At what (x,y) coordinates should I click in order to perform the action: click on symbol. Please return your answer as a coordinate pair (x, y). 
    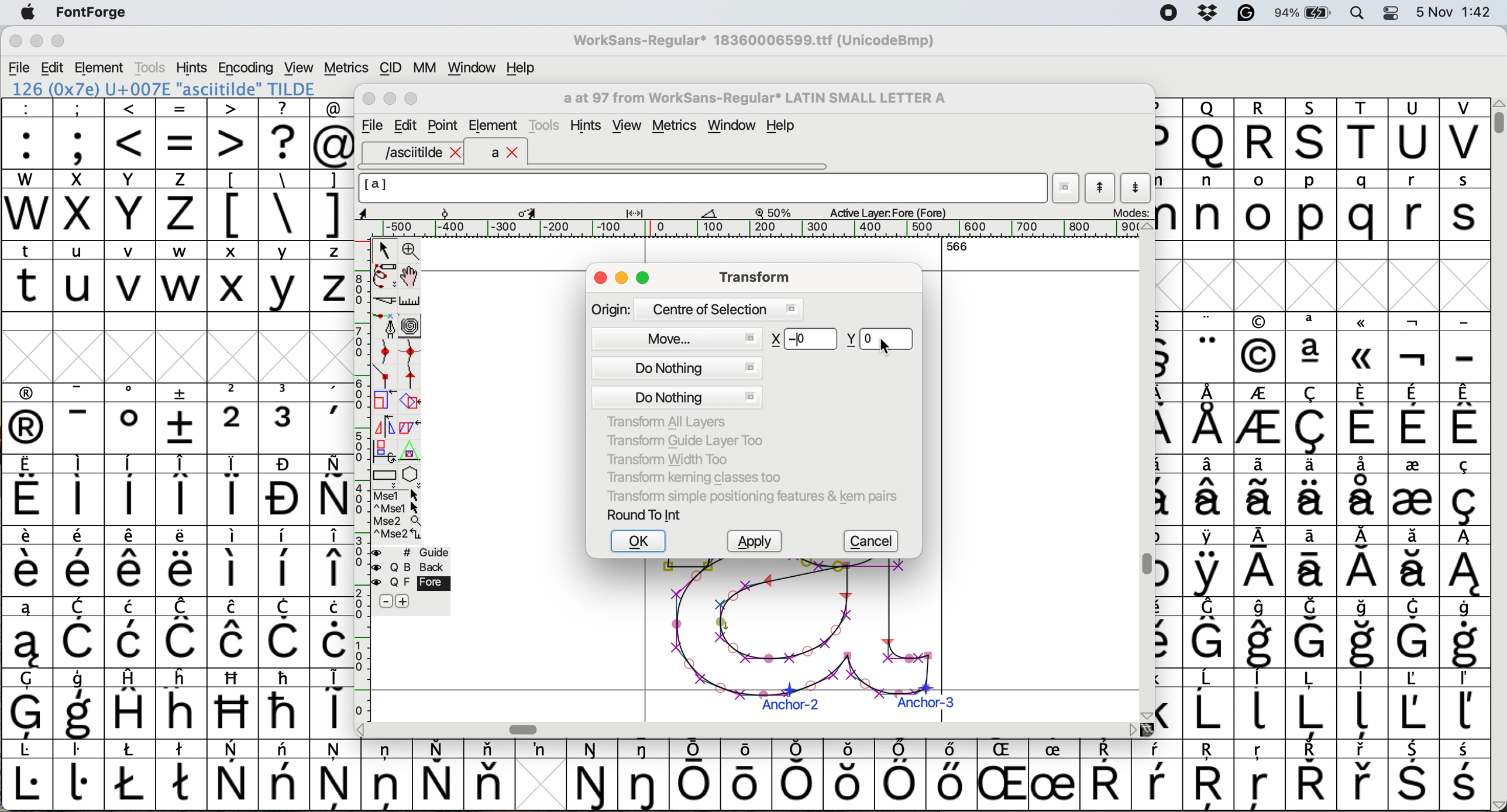
    Looking at the image, I should click on (1415, 349).